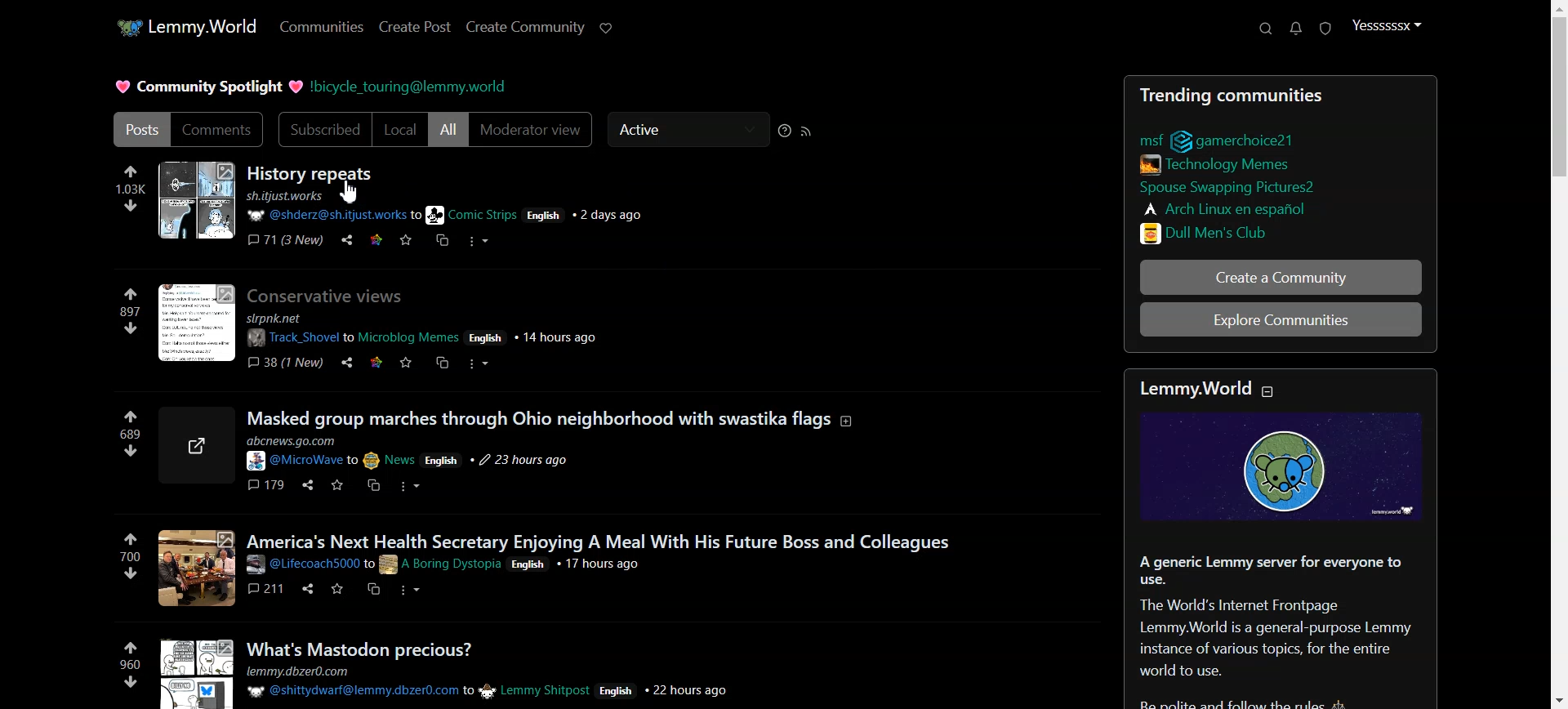 This screenshot has width=1568, height=709. Describe the element at coordinates (441, 240) in the screenshot. I see `Copy` at that location.